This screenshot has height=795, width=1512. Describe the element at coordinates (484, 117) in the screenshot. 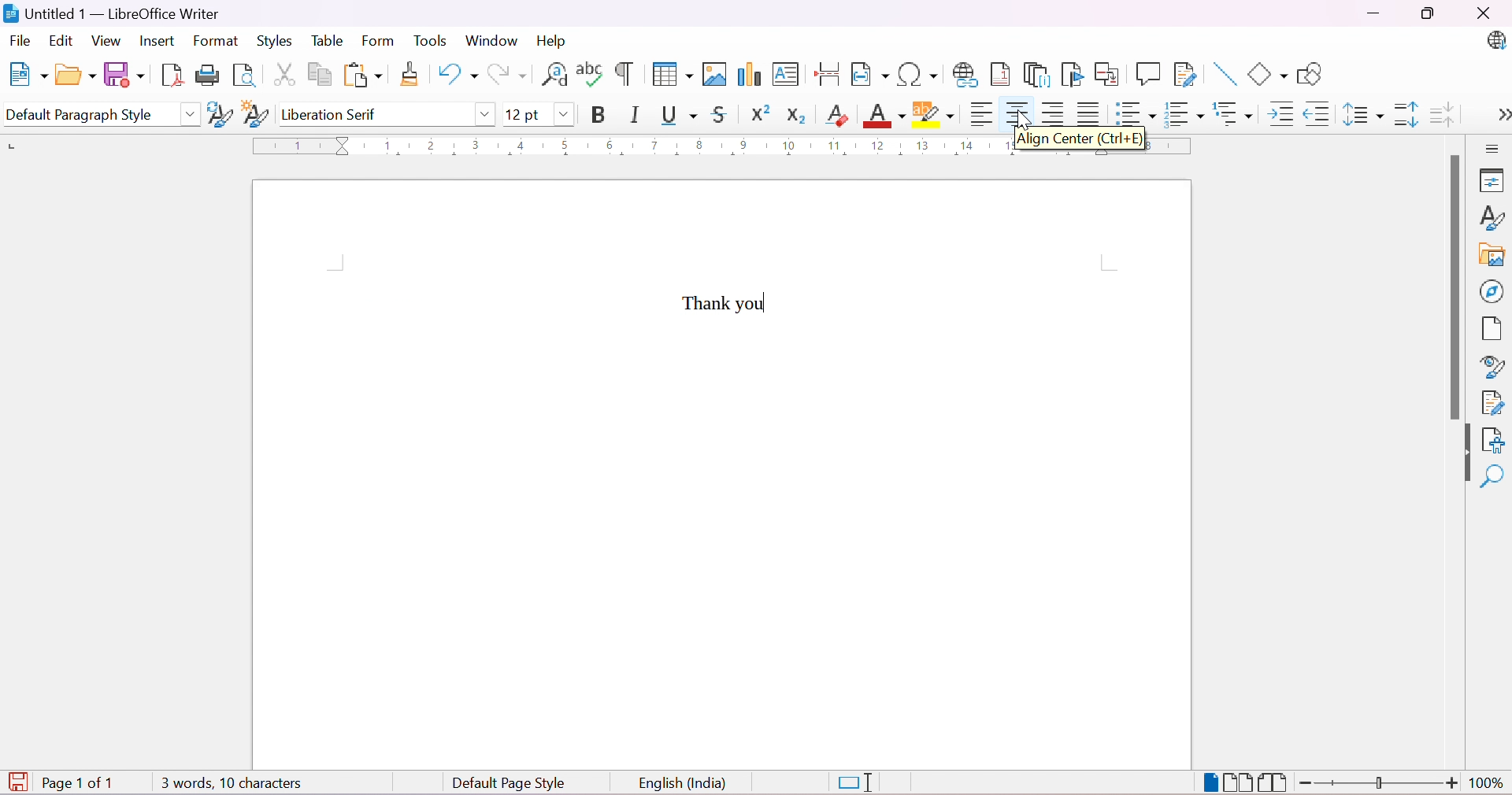

I see `Drop Down` at that location.